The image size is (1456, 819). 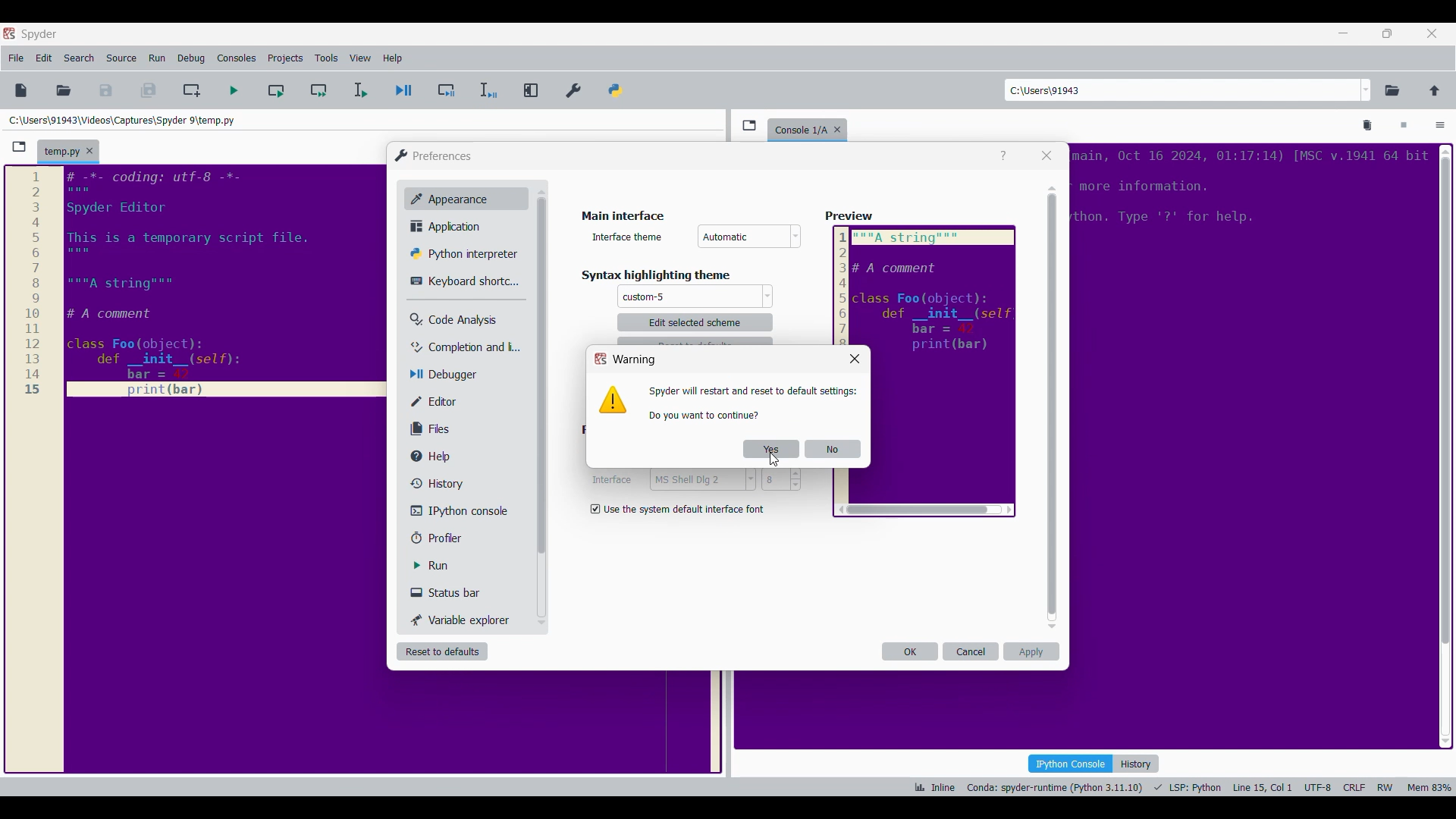 What do you see at coordinates (467, 621) in the screenshot?
I see `Variable explorer` at bounding box center [467, 621].